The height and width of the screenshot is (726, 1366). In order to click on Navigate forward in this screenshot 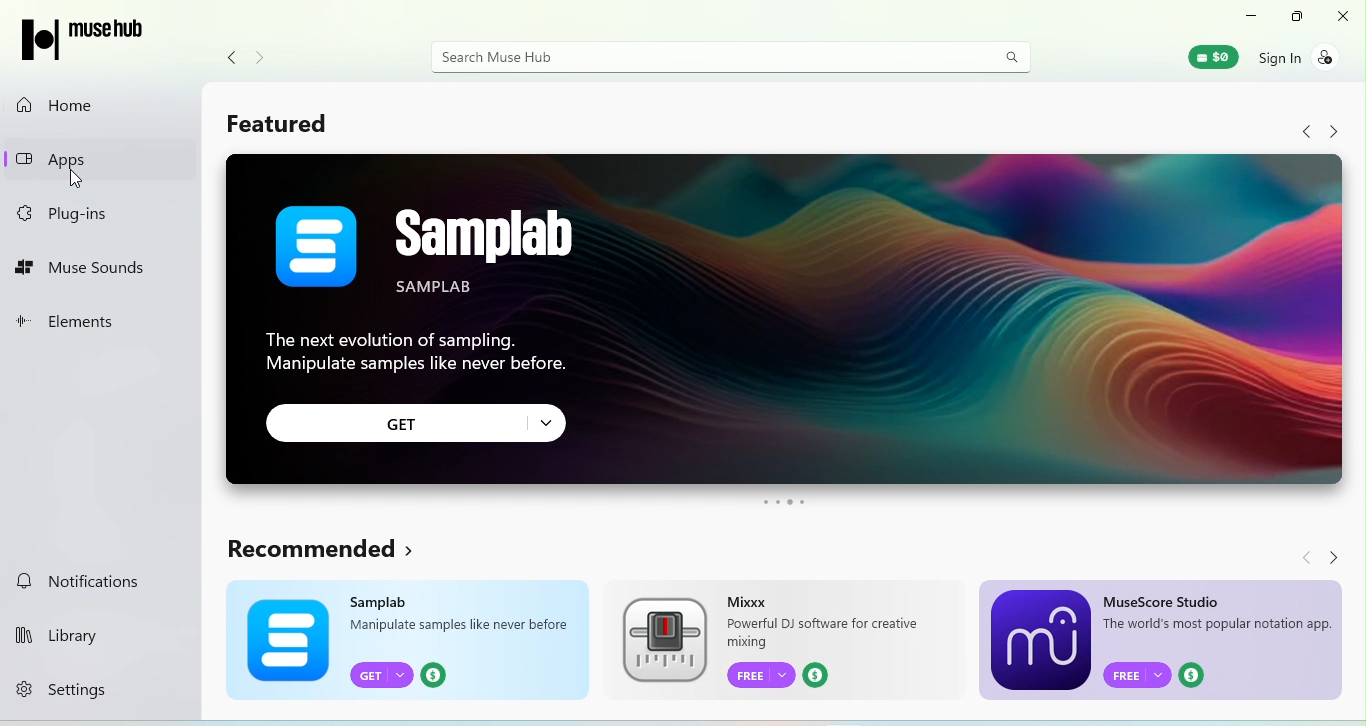, I will do `click(1338, 131)`.